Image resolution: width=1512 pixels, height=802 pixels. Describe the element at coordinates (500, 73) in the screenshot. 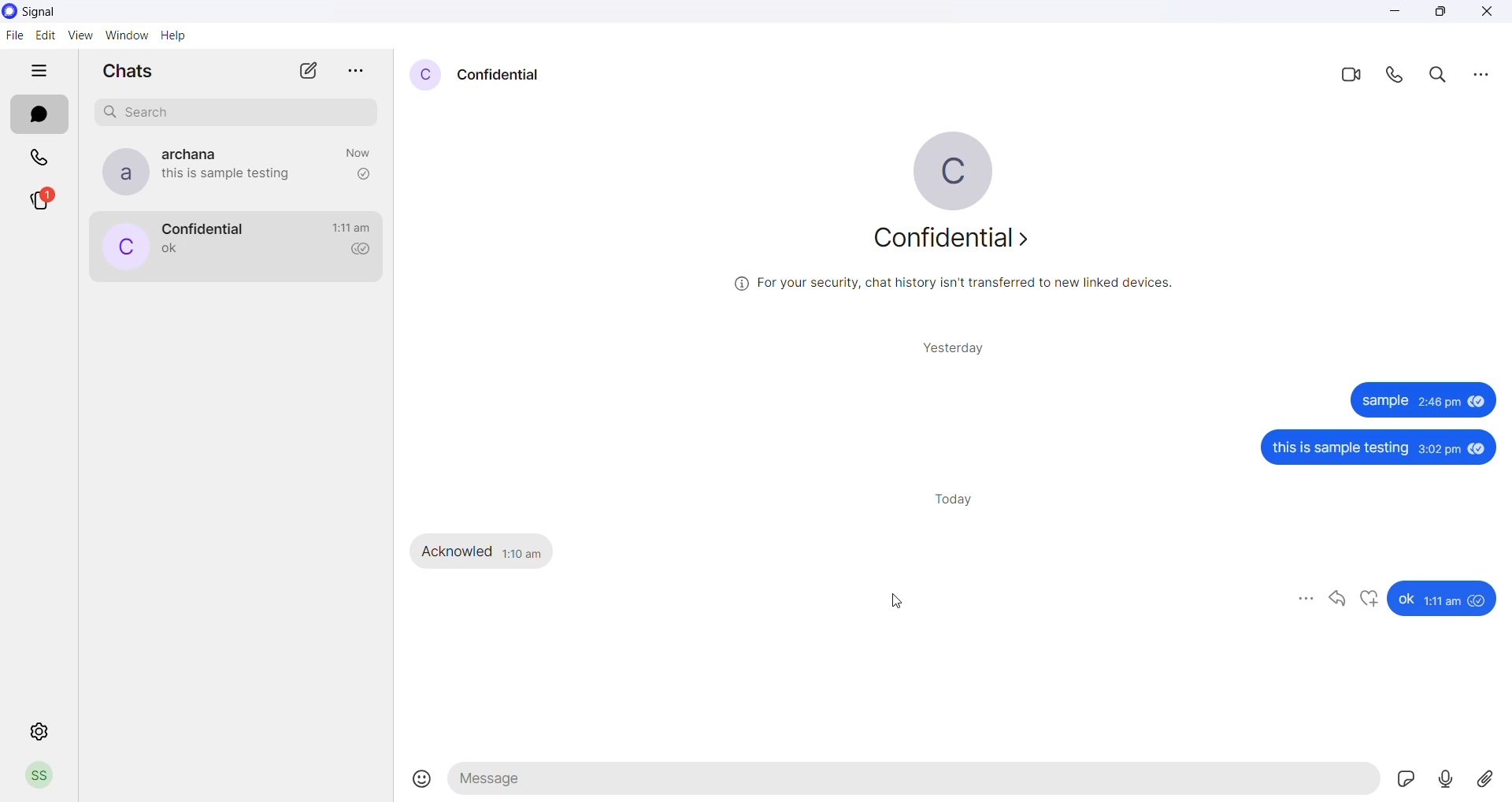

I see `contact name` at that location.